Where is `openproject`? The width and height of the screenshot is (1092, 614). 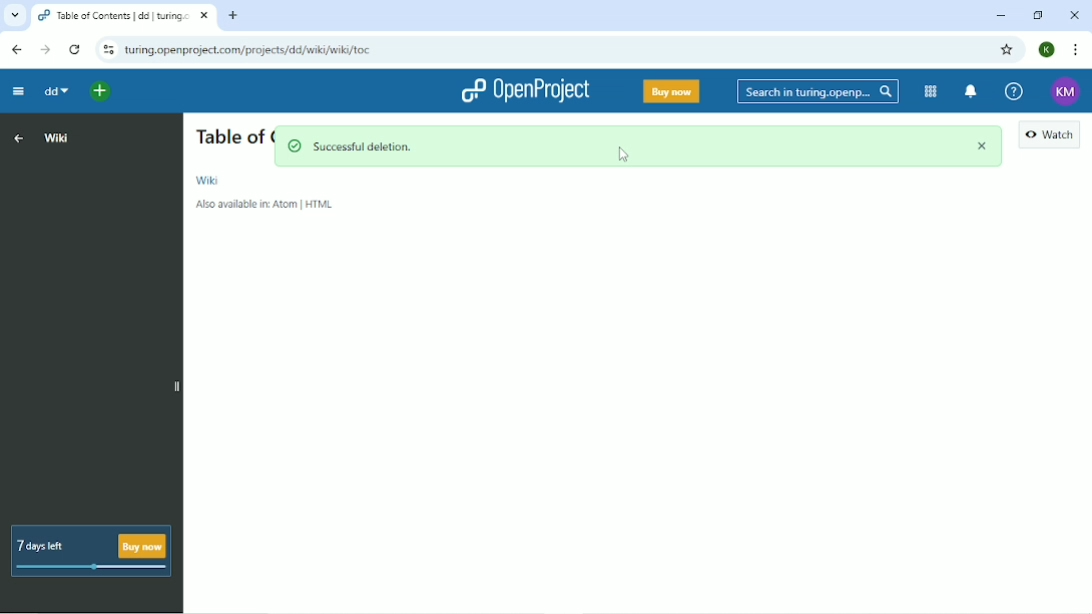
openproject is located at coordinates (524, 89).